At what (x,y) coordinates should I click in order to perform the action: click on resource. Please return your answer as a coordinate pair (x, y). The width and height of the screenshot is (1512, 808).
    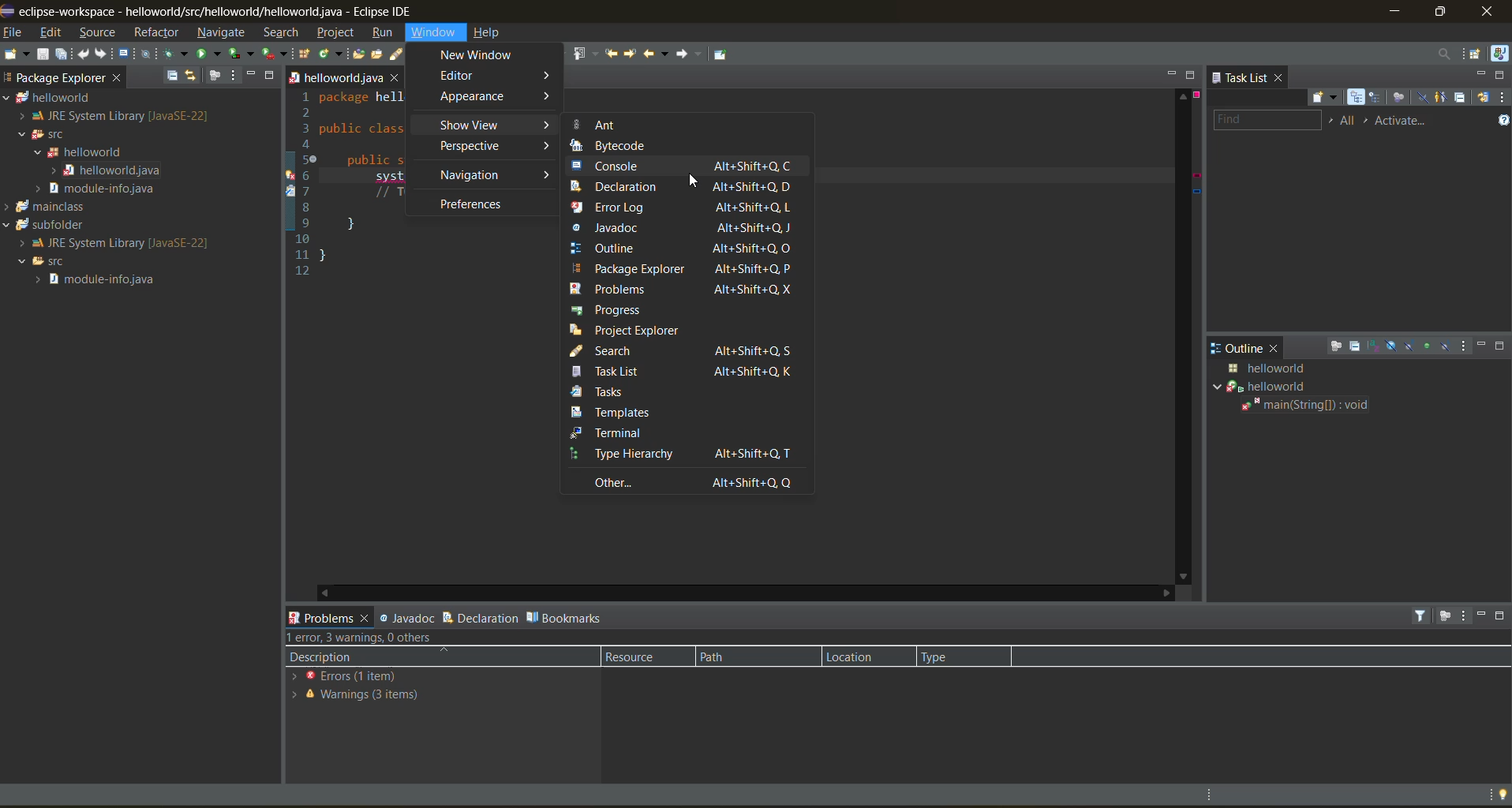
    Looking at the image, I should click on (637, 659).